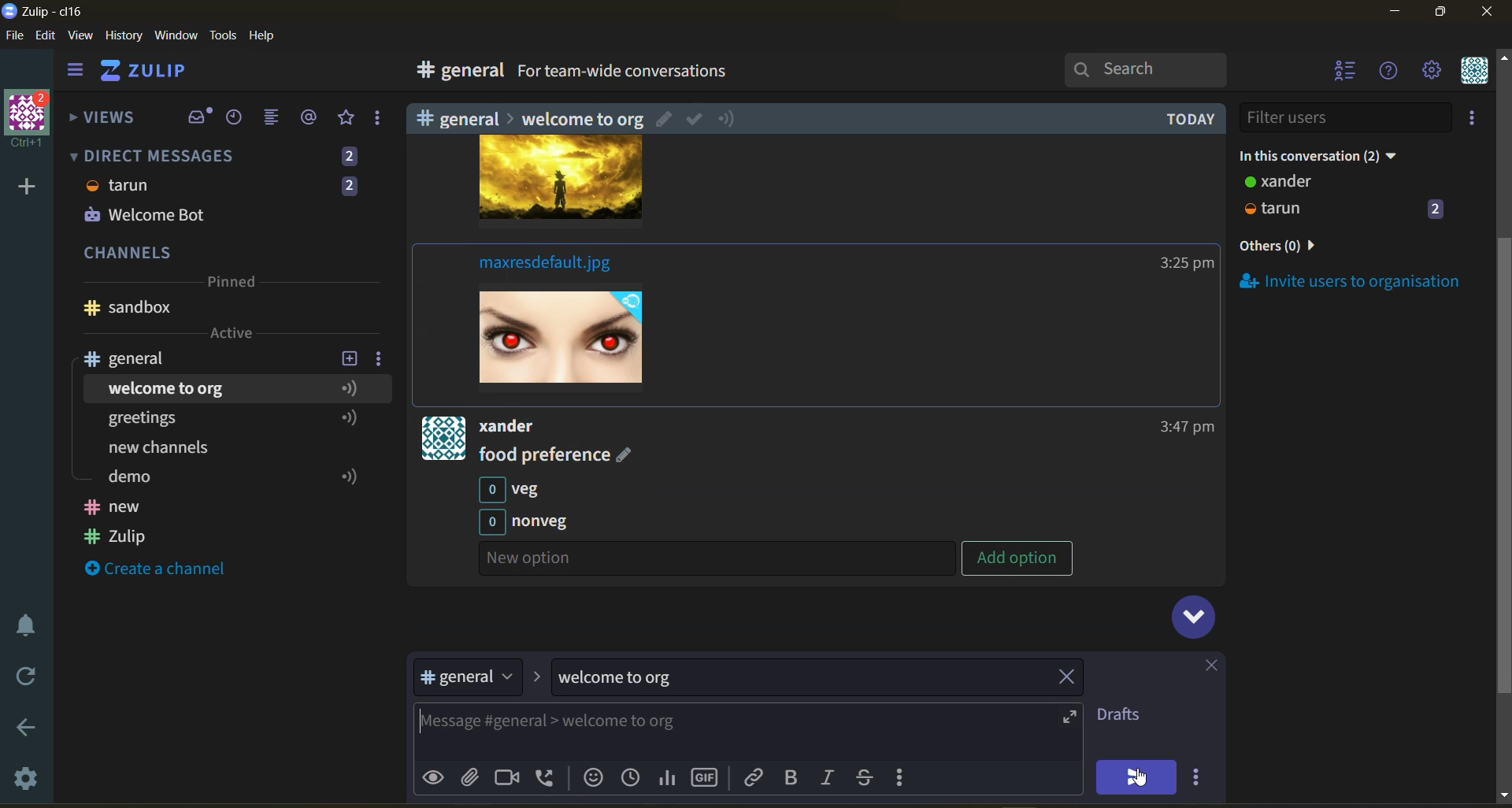 This screenshot has width=1512, height=808. I want to click on , so click(1027, 560).